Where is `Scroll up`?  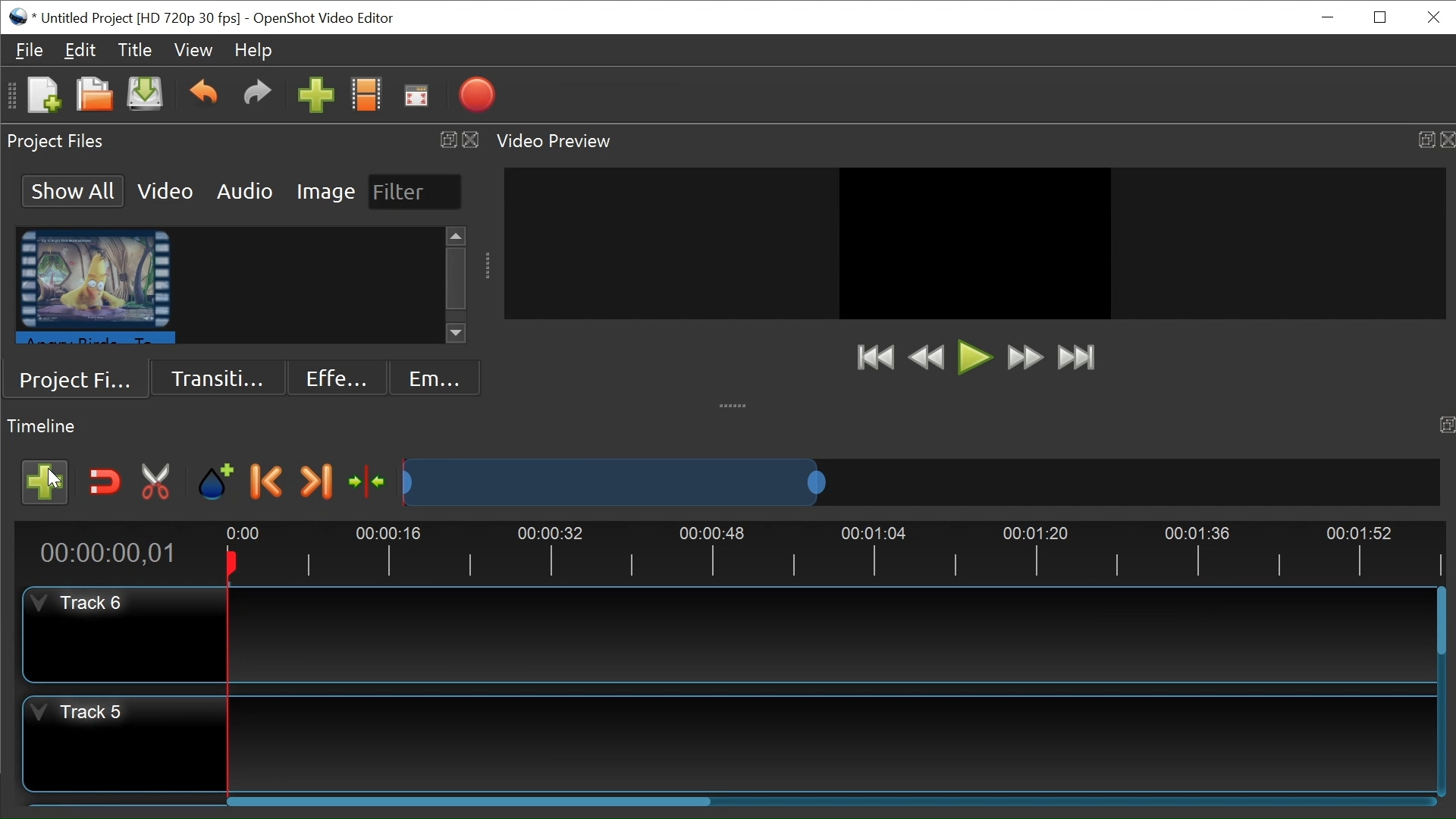
Scroll up is located at coordinates (456, 233).